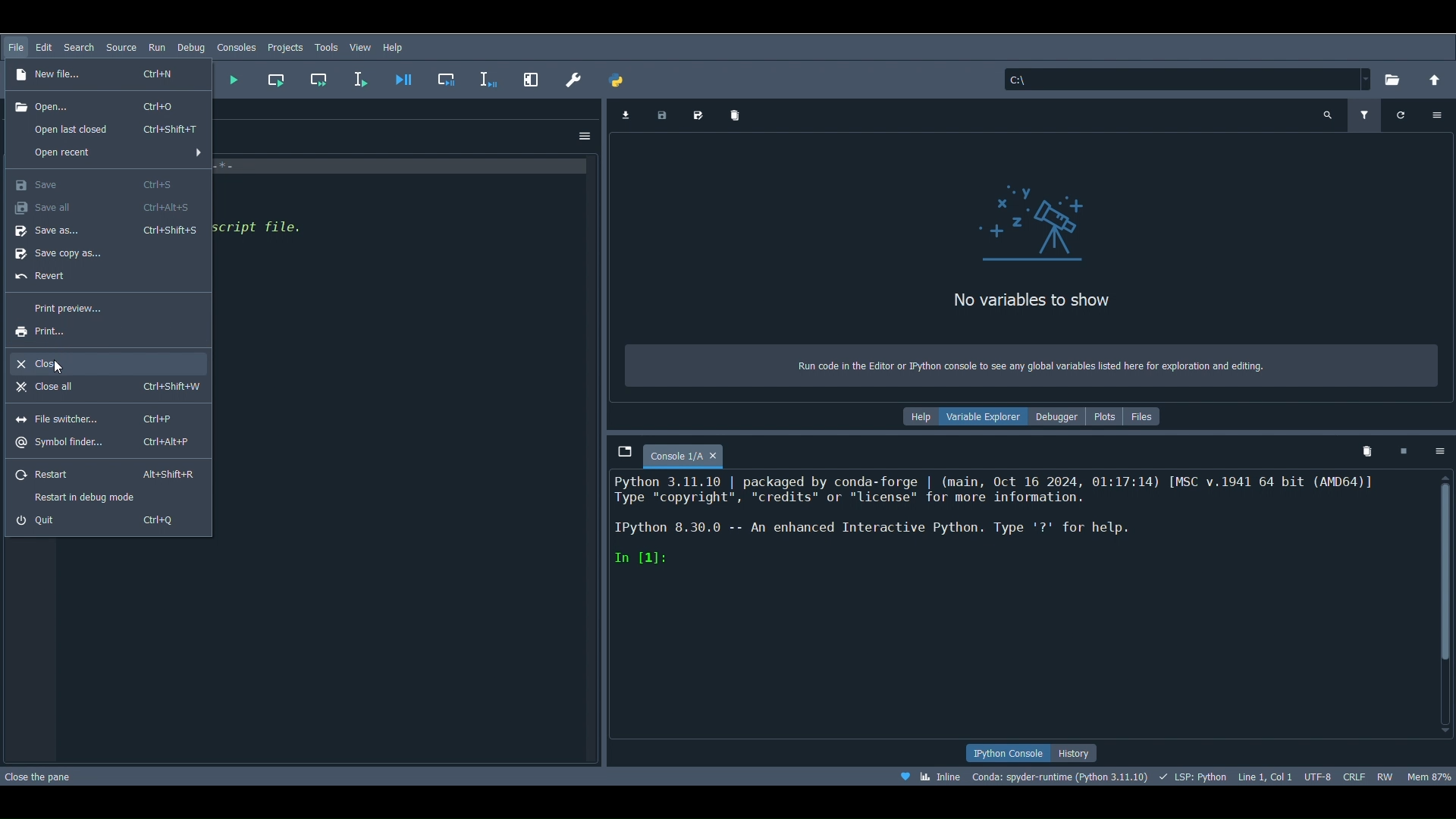  Describe the element at coordinates (1188, 77) in the screenshot. I see `File location` at that location.